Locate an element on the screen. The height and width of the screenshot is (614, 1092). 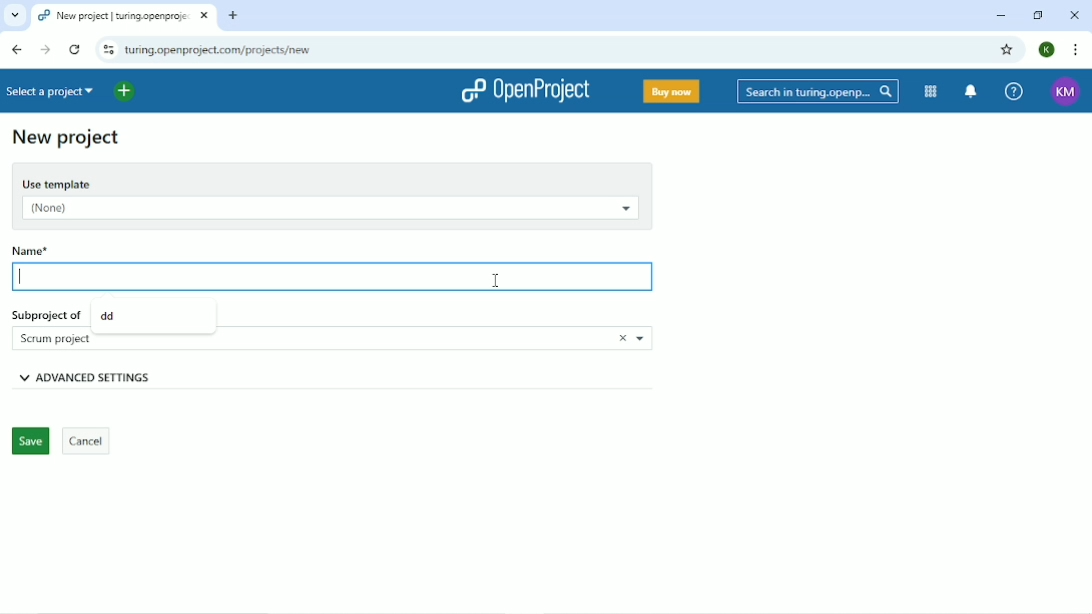
Minimize is located at coordinates (1001, 17).